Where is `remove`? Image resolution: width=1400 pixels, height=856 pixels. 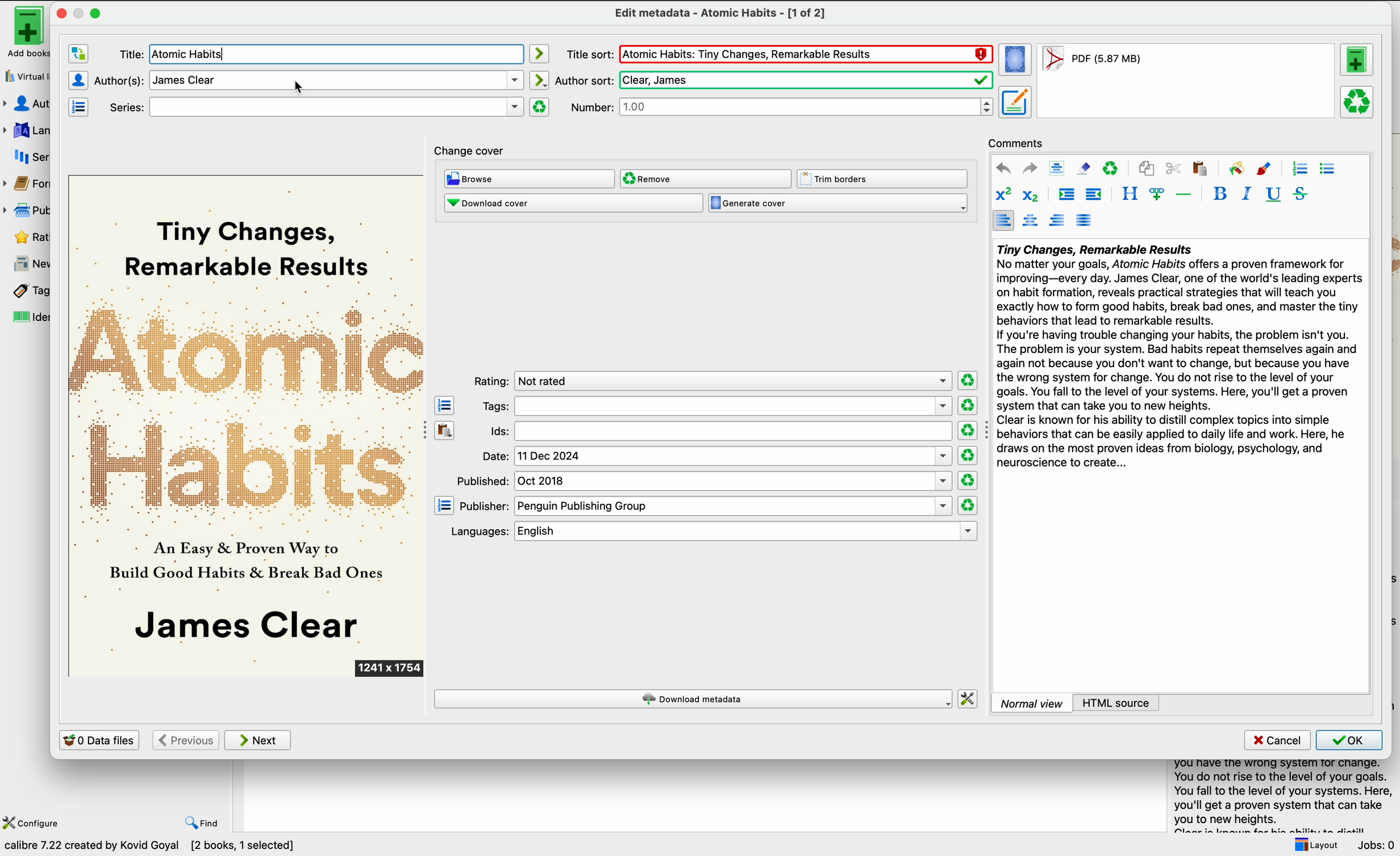
remove is located at coordinates (706, 179).